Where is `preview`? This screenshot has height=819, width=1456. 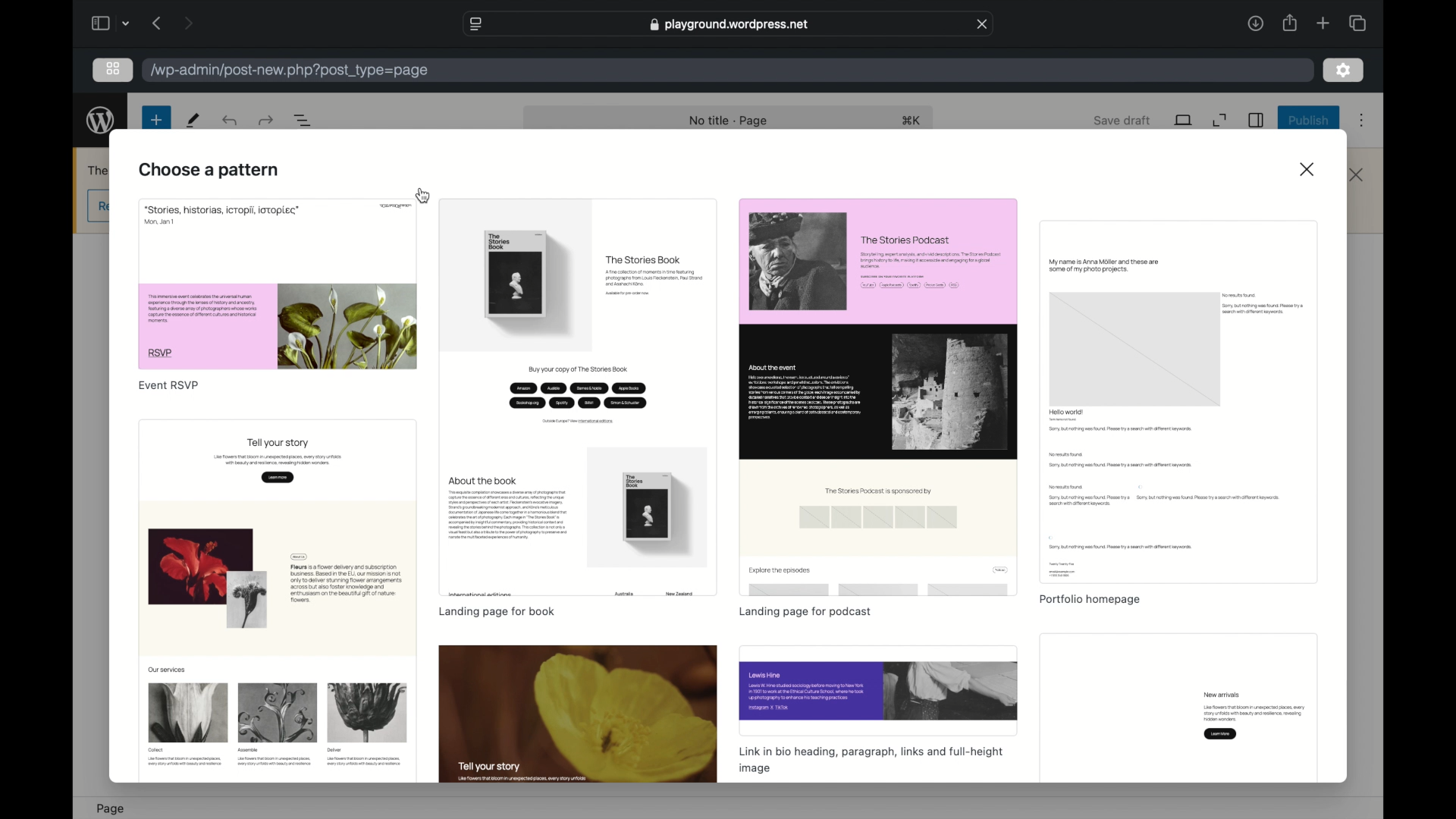 preview is located at coordinates (879, 397).